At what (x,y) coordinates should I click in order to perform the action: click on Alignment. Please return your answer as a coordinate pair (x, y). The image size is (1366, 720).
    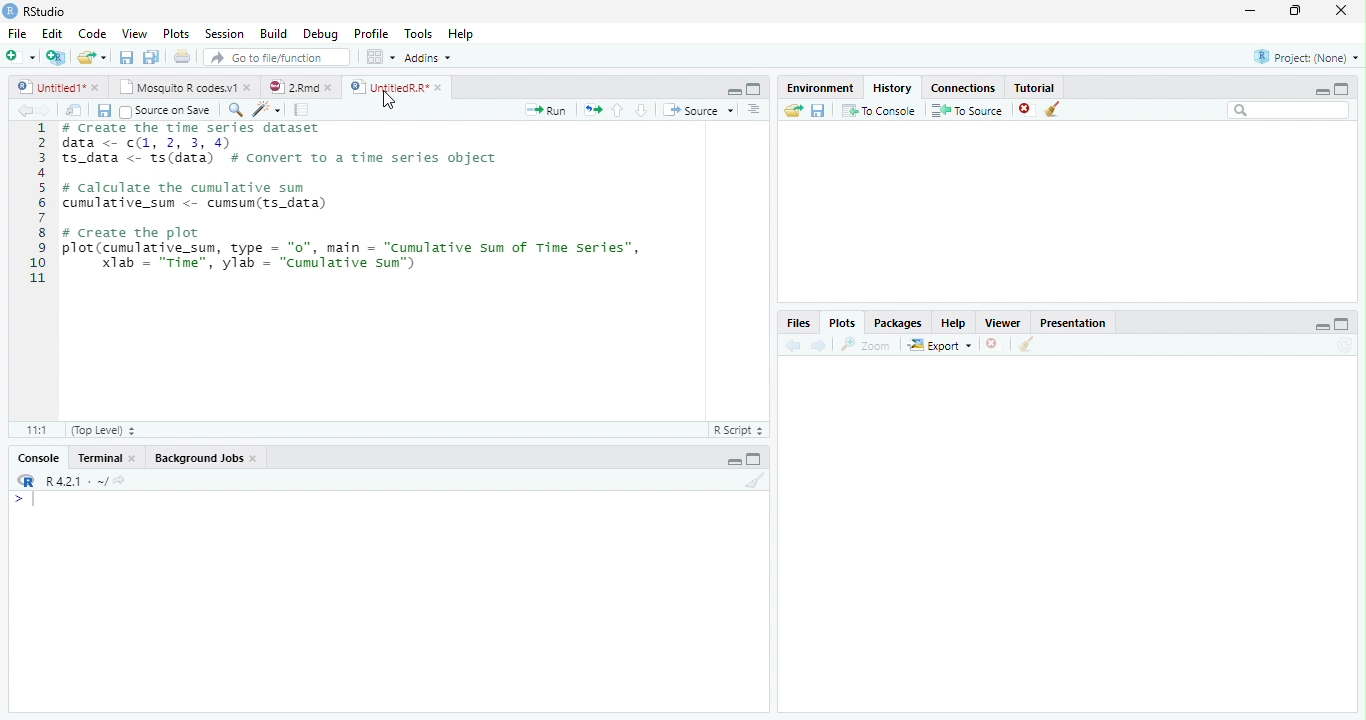
    Looking at the image, I should click on (754, 110).